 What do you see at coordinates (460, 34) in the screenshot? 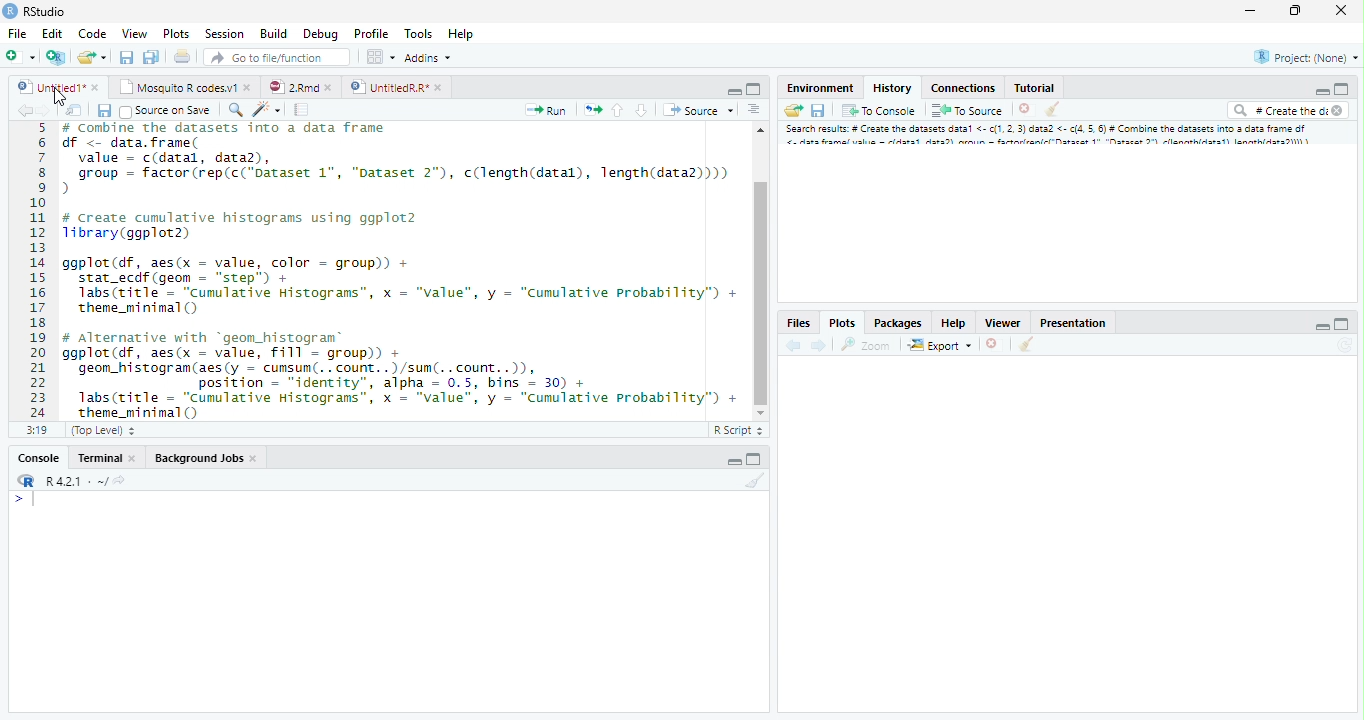
I see `Help` at bounding box center [460, 34].